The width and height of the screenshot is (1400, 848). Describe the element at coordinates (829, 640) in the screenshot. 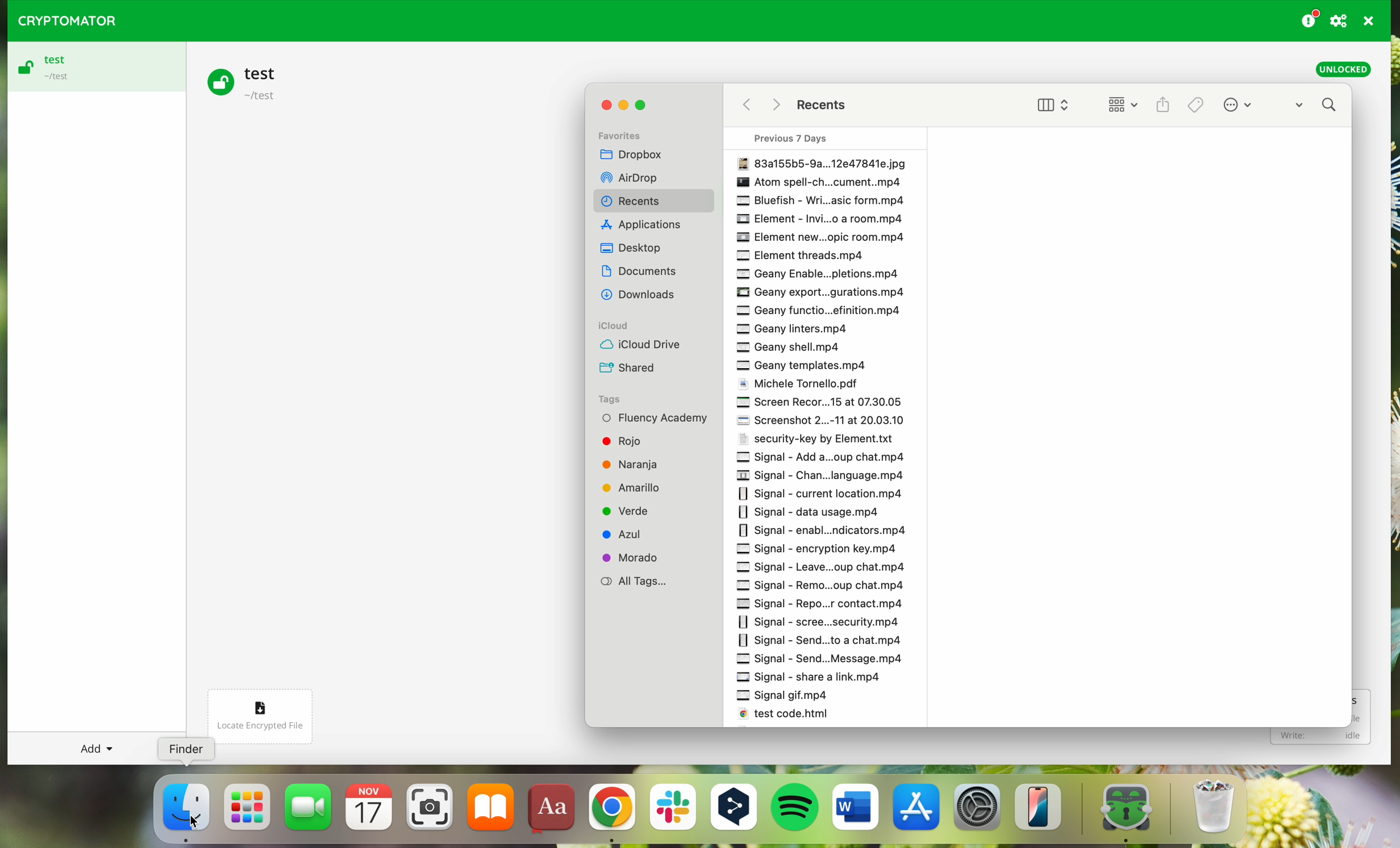

I see `Signal send to a chat` at that location.